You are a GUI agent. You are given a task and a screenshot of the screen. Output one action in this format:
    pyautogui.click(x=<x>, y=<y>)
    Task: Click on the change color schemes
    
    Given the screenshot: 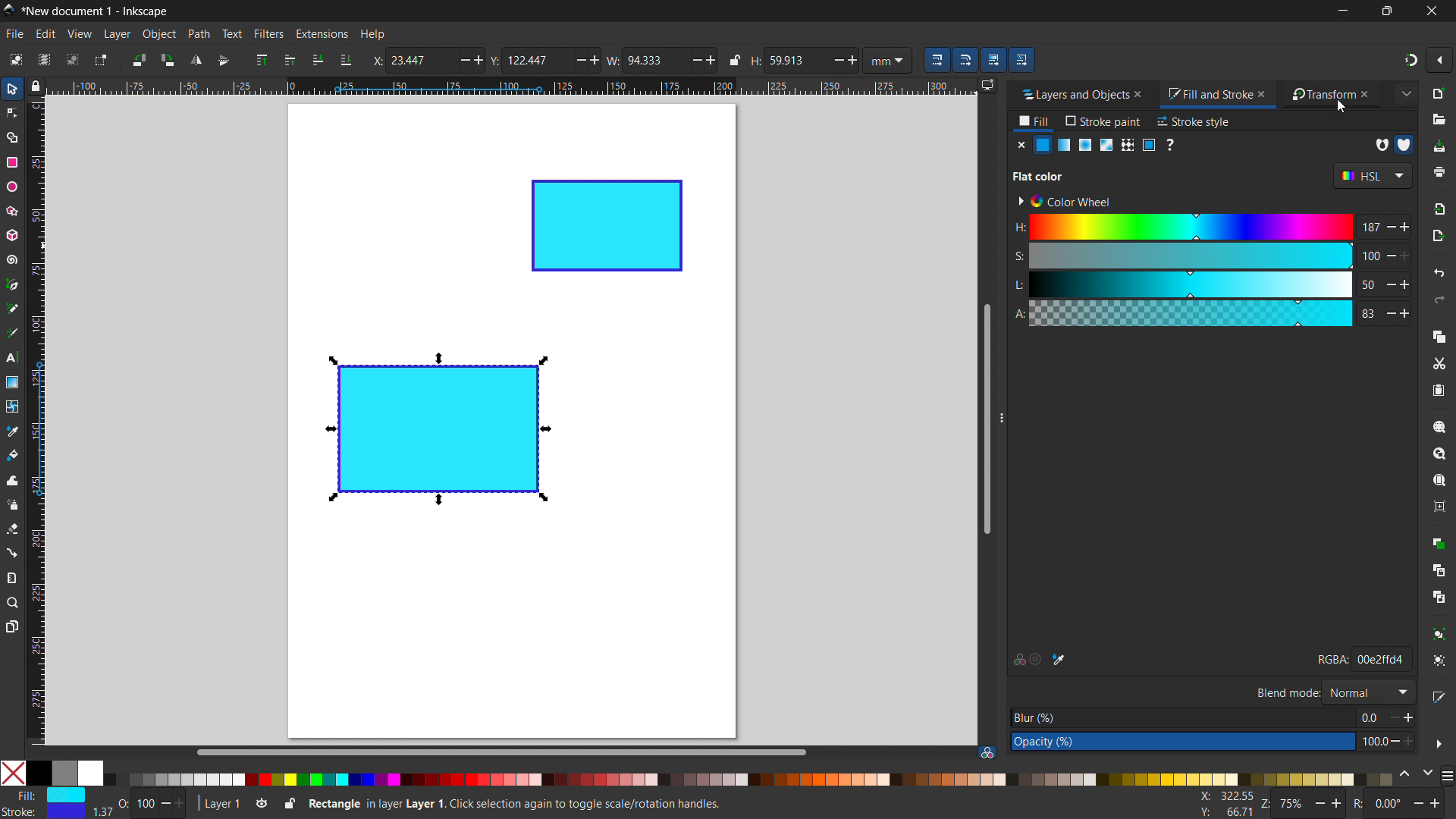 What is the action you would take?
    pyautogui.click(x=1415, y=774)
    